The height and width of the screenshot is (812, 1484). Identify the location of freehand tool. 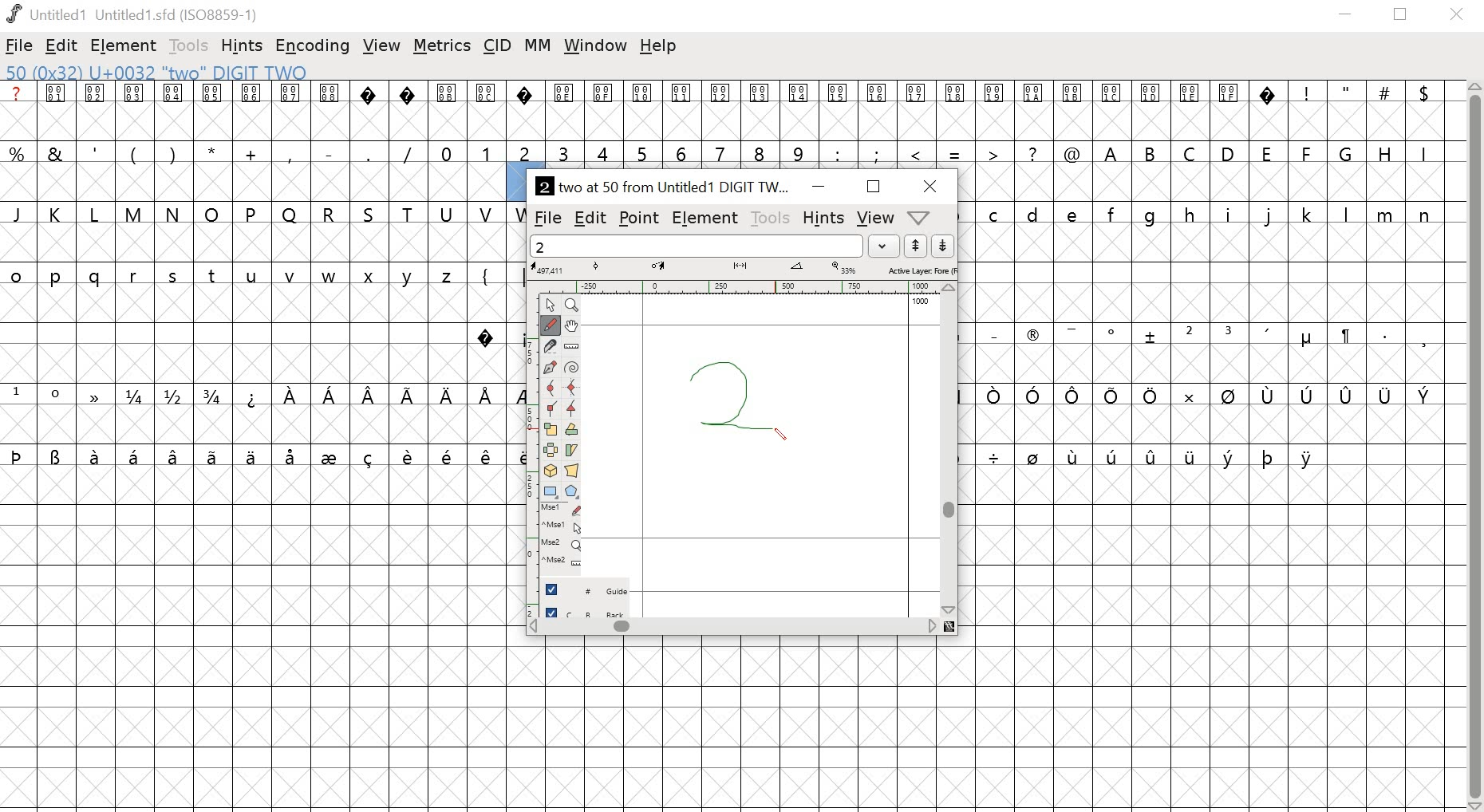
(551, 325).